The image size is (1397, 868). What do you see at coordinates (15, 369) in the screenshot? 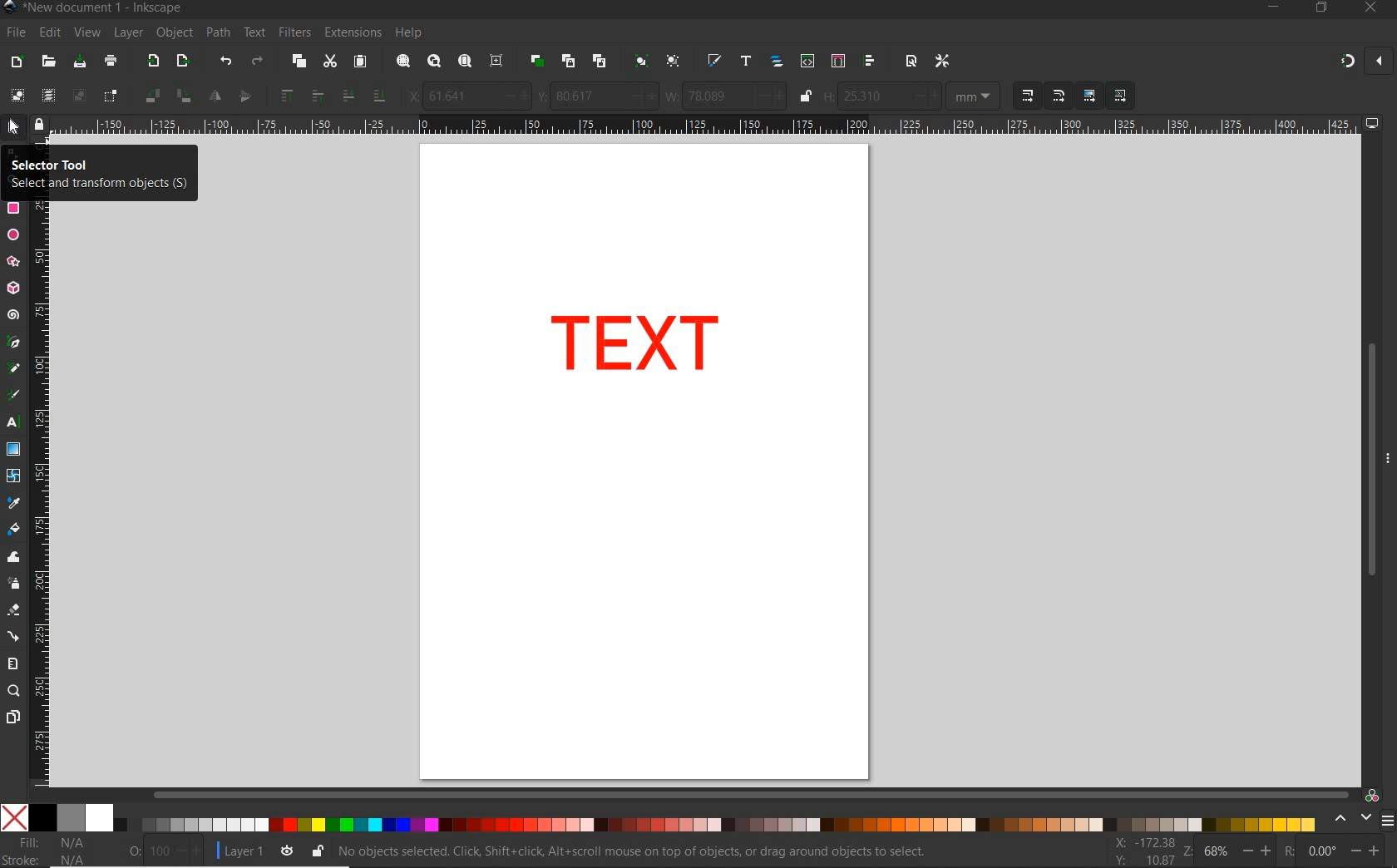
I see `pencil tool` at bounding box center [15, 369].